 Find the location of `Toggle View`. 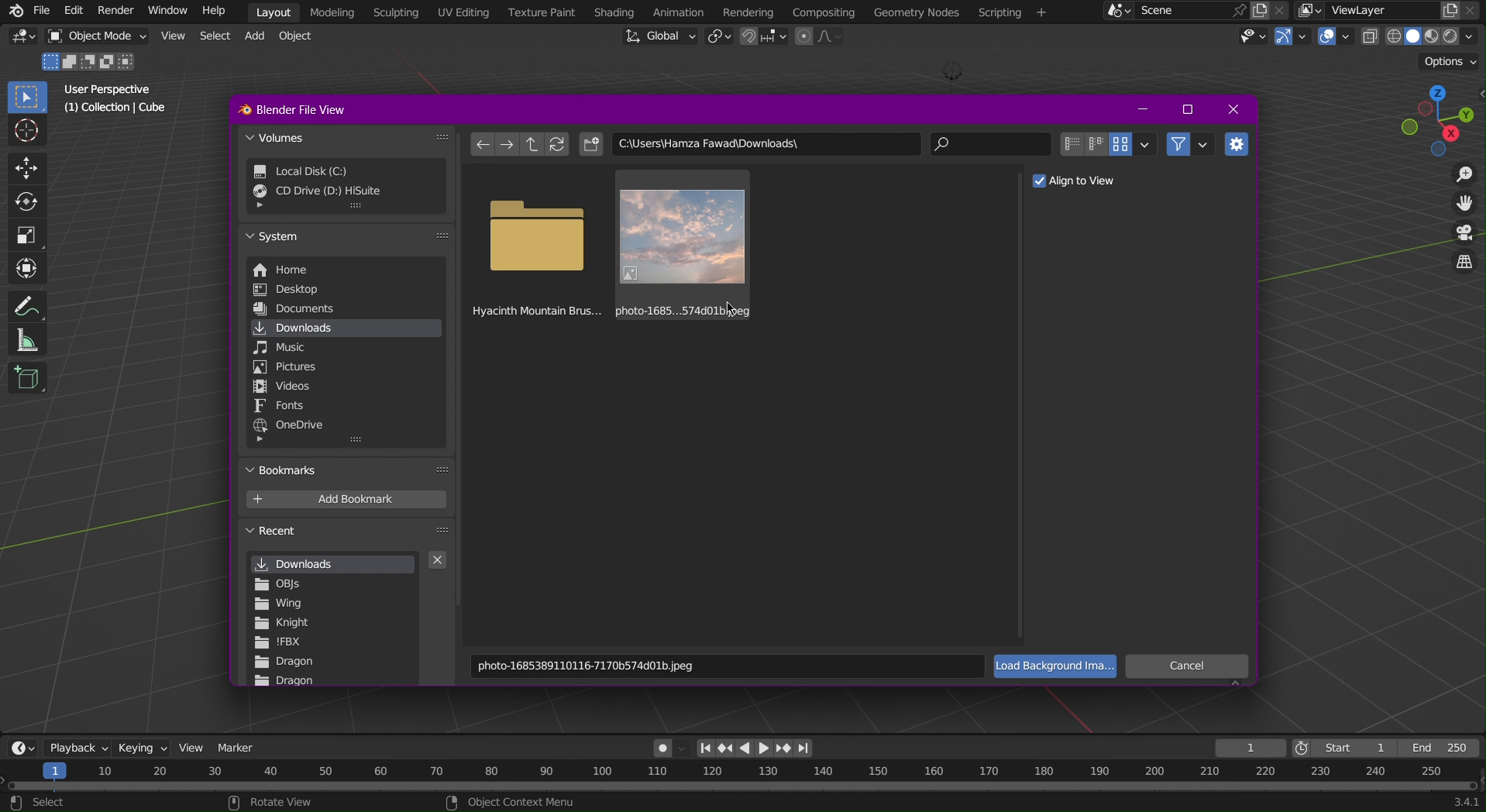

Toggle View is located at coordinates (1467, 267).